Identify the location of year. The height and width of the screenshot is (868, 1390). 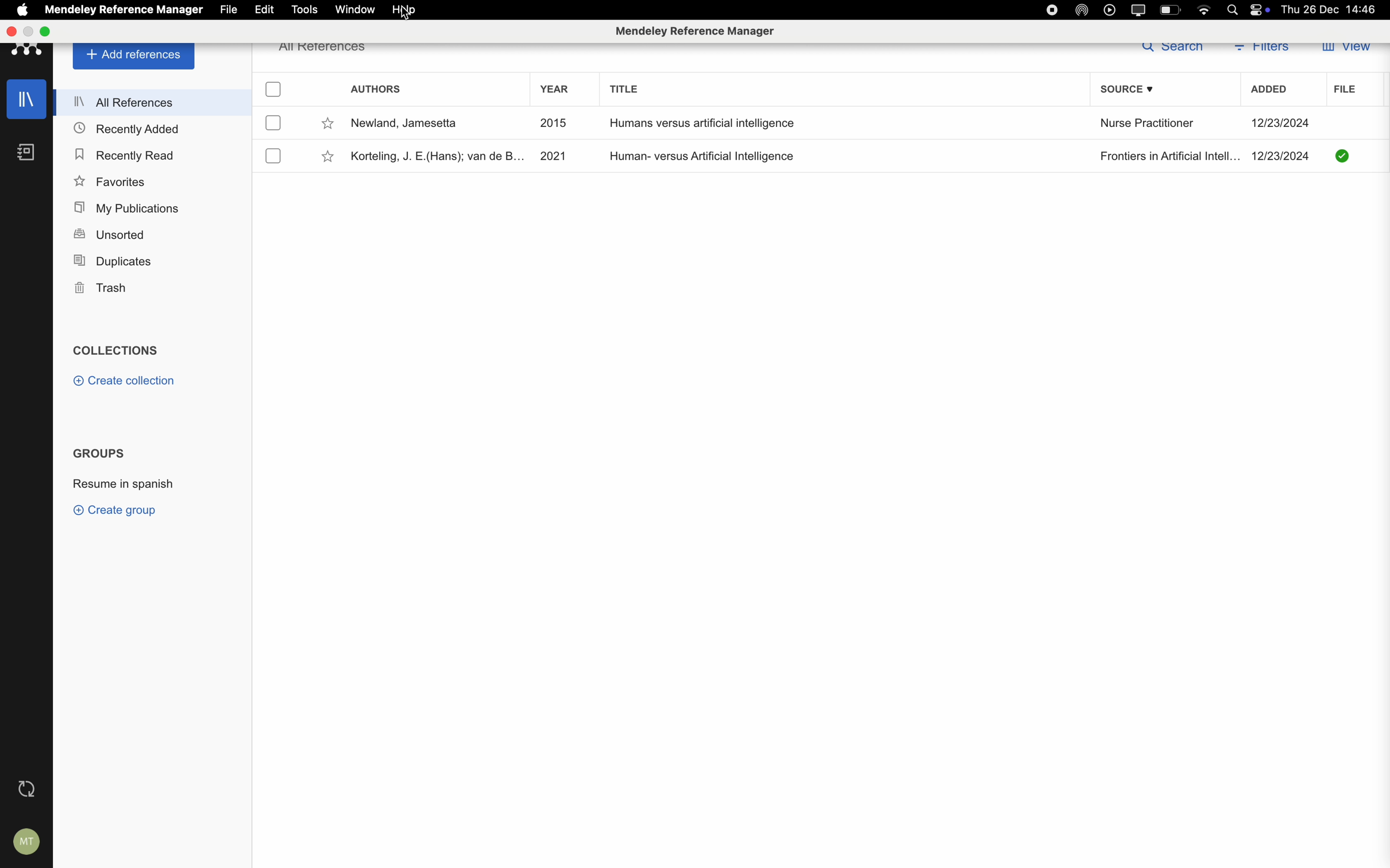
(557, 88).